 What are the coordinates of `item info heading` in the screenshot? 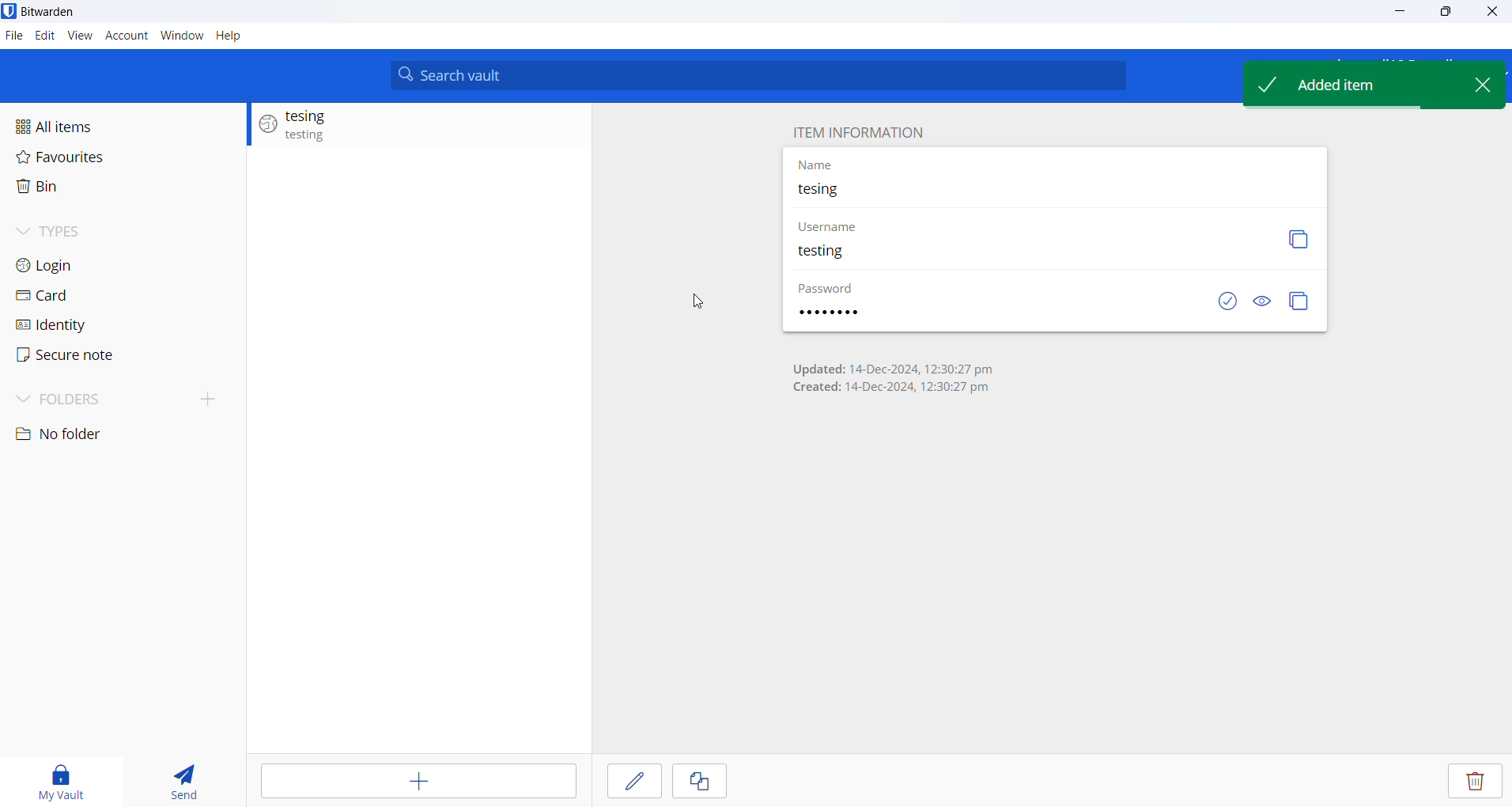 It's located at (856, 131).